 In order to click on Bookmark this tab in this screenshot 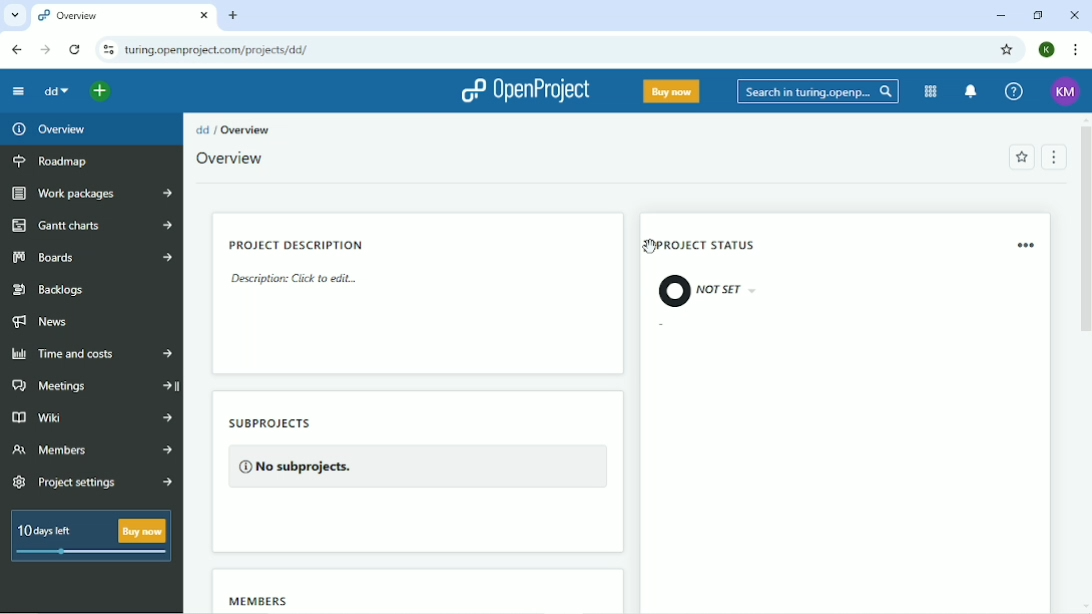, I will do `click(1008, 50)`.